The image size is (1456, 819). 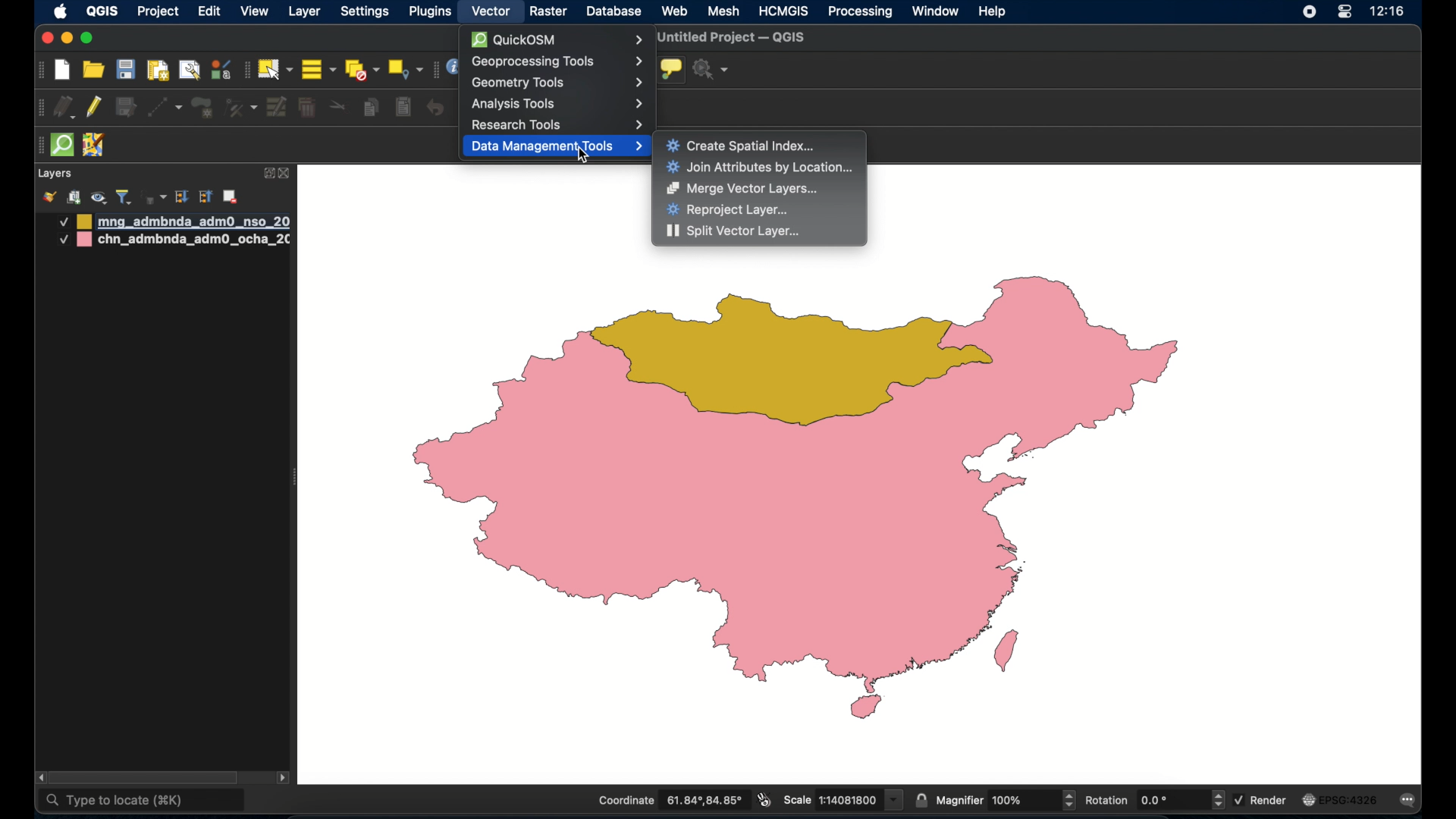 What do you see at coordinates (255, 13) in the screenshot?
I see `view` at bounding box center [255, 13].